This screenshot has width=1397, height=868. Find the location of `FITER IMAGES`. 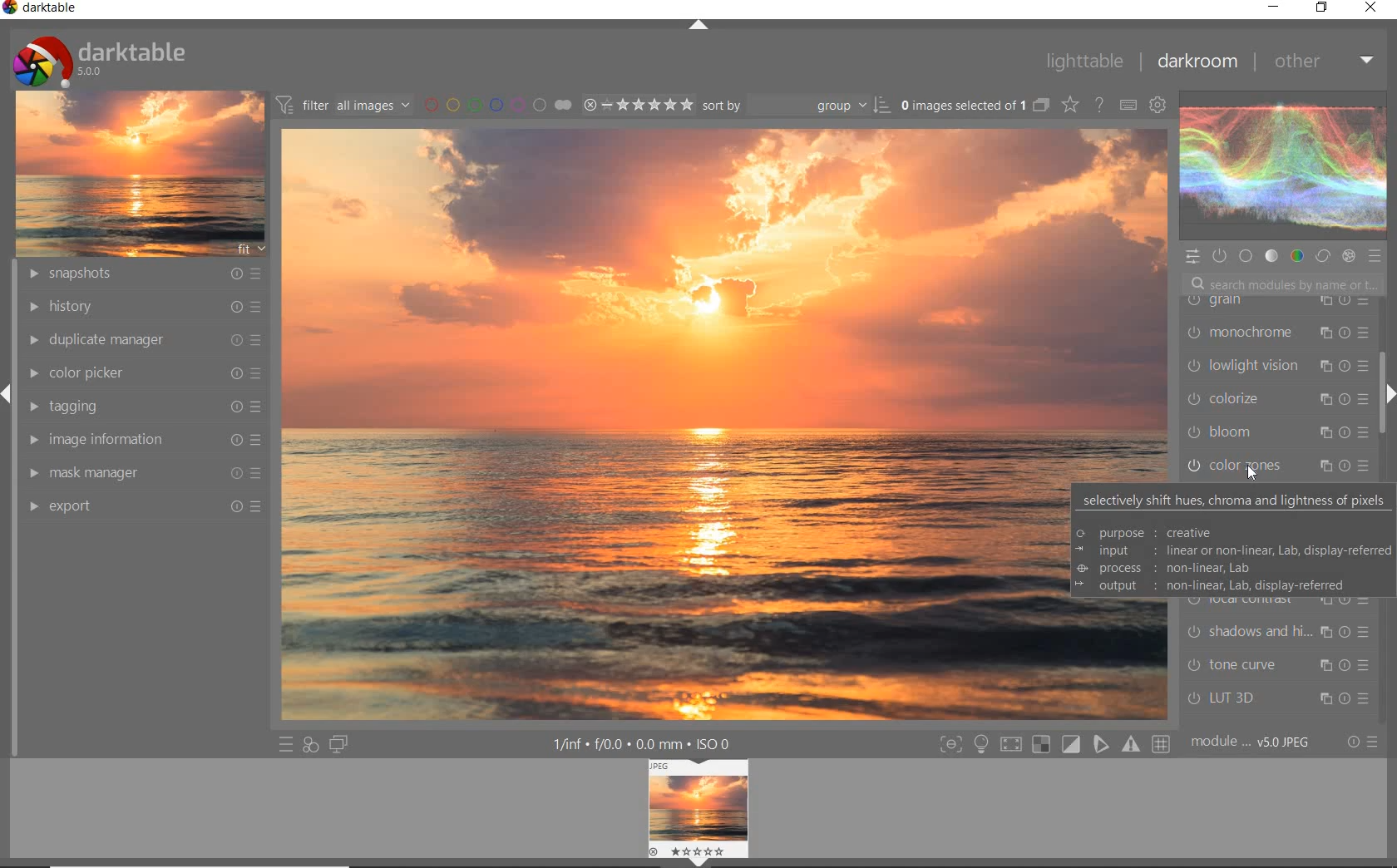

FITER IMAGES is located at coordinates (343, 104).